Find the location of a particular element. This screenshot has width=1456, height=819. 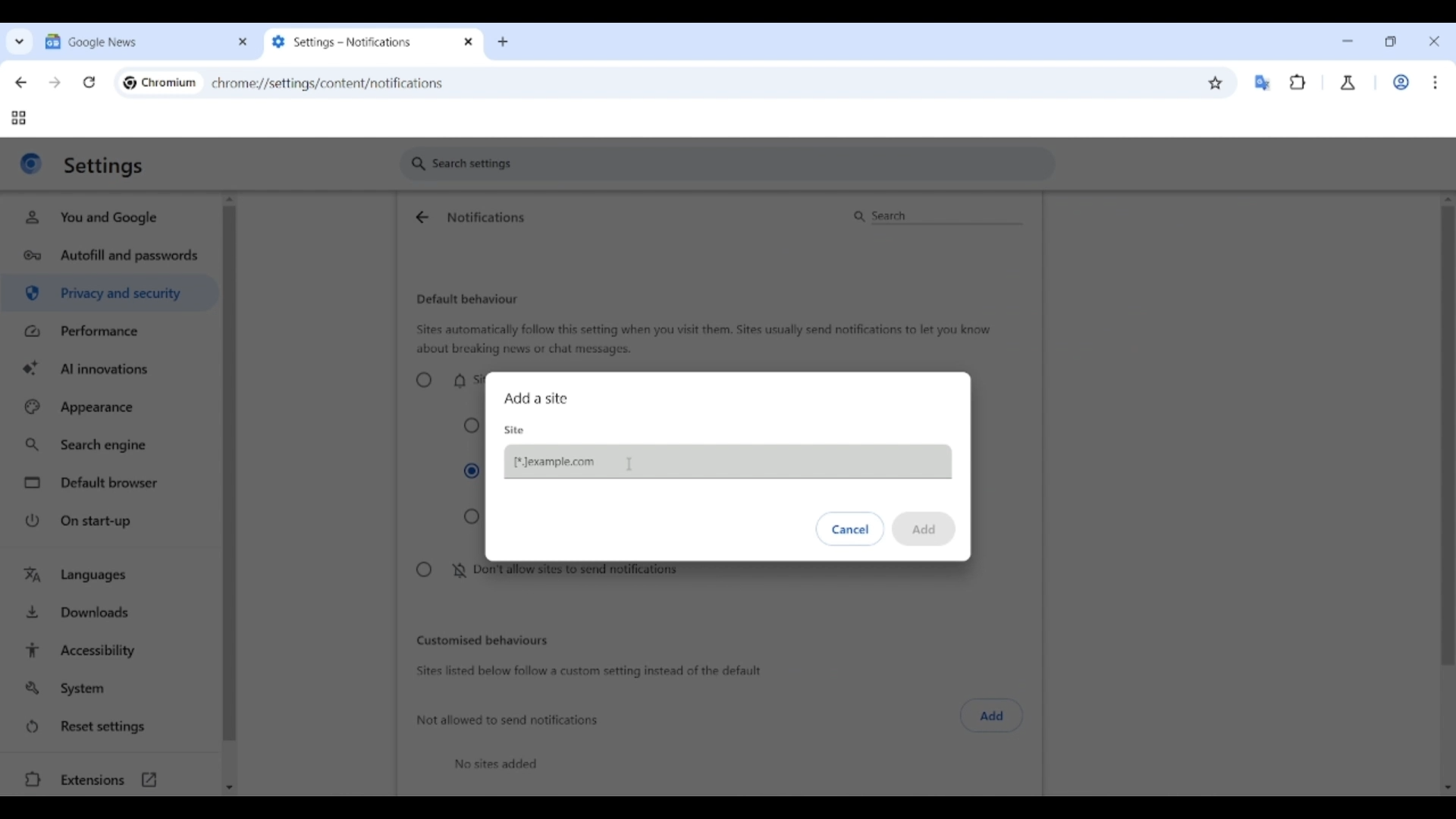

Show interface in a smaller tab is located at coordinates (1390, 42).